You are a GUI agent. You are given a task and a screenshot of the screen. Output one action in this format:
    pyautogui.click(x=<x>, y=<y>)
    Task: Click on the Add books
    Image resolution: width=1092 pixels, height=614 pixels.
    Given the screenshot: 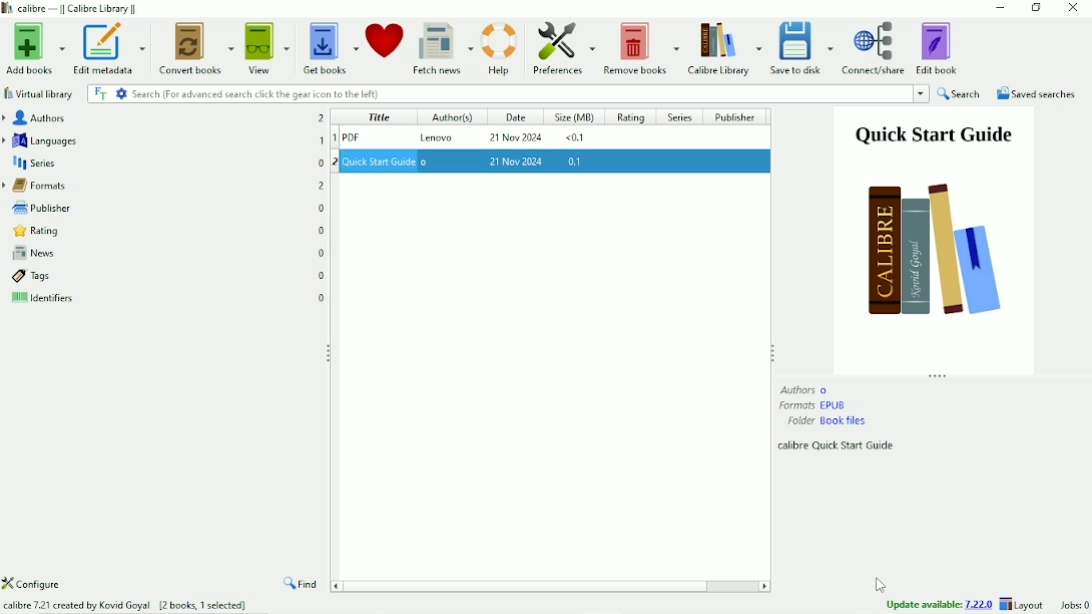 What is the action you would take?
    pyautogui.click(x=33, y=49)
    